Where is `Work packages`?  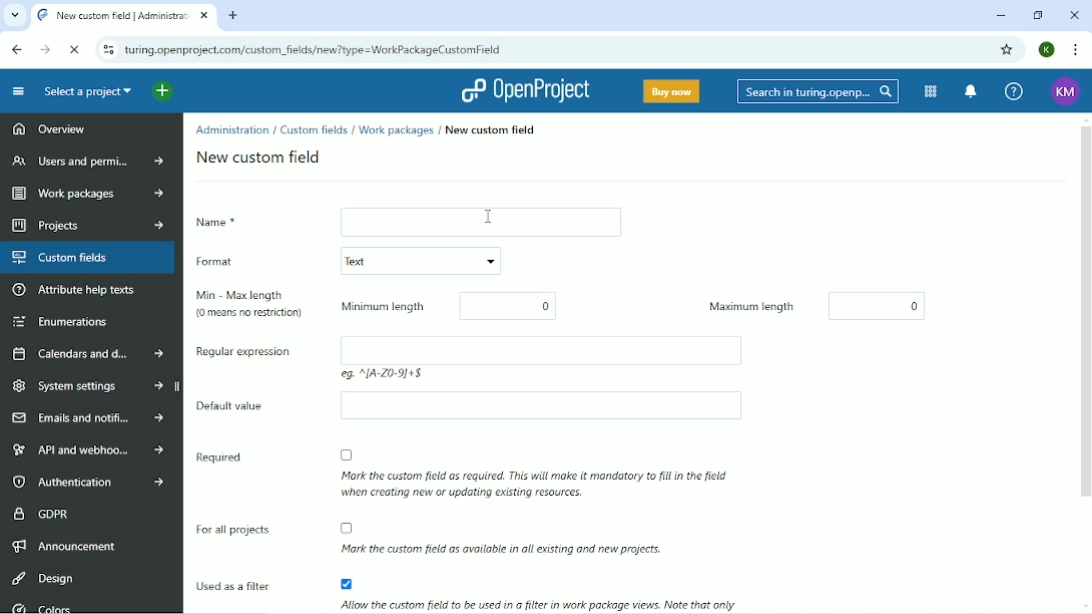 Work packages is located at coordinates (85, 195).